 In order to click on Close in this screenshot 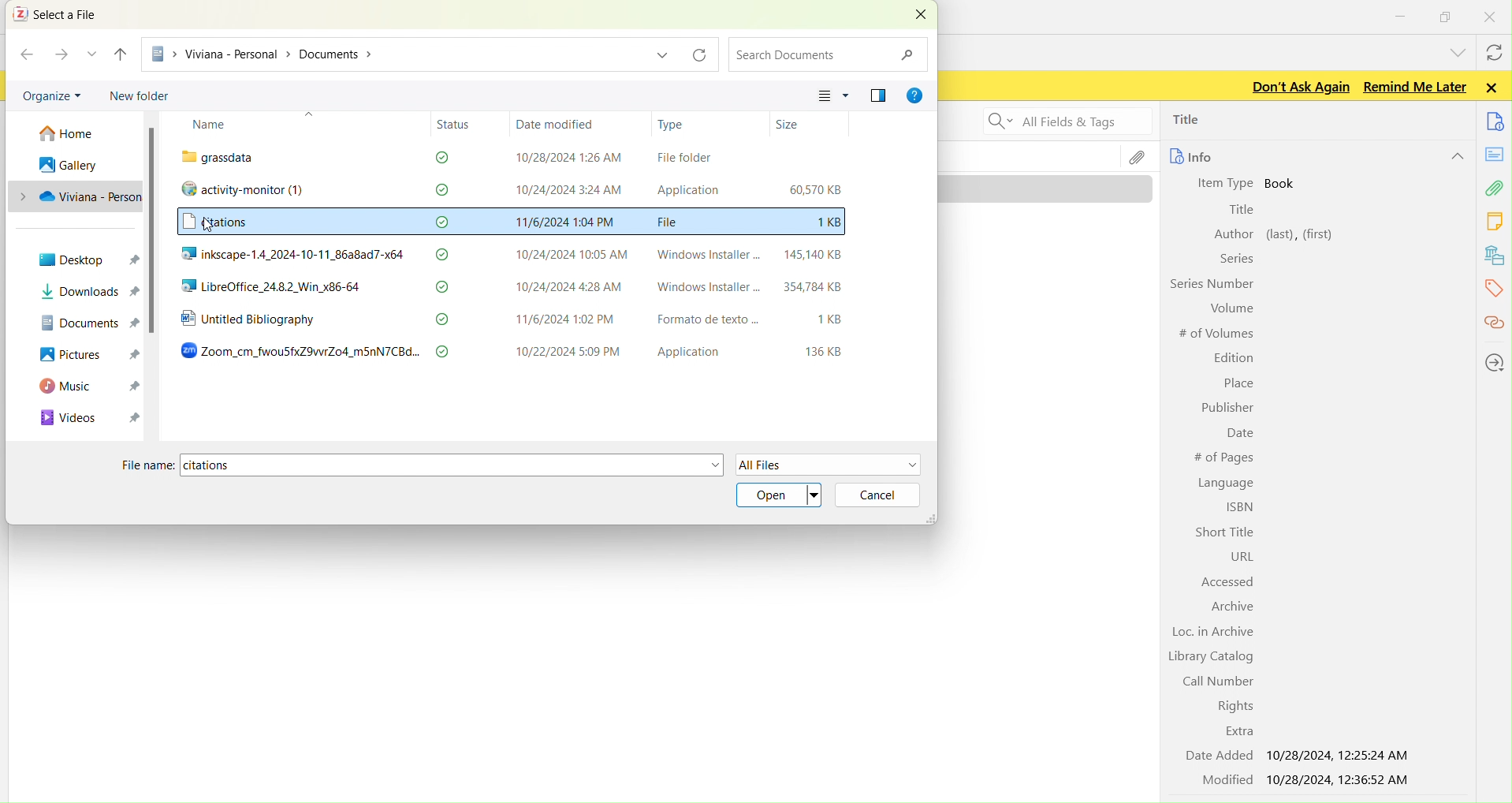, I will do `click(1492, 88)`.